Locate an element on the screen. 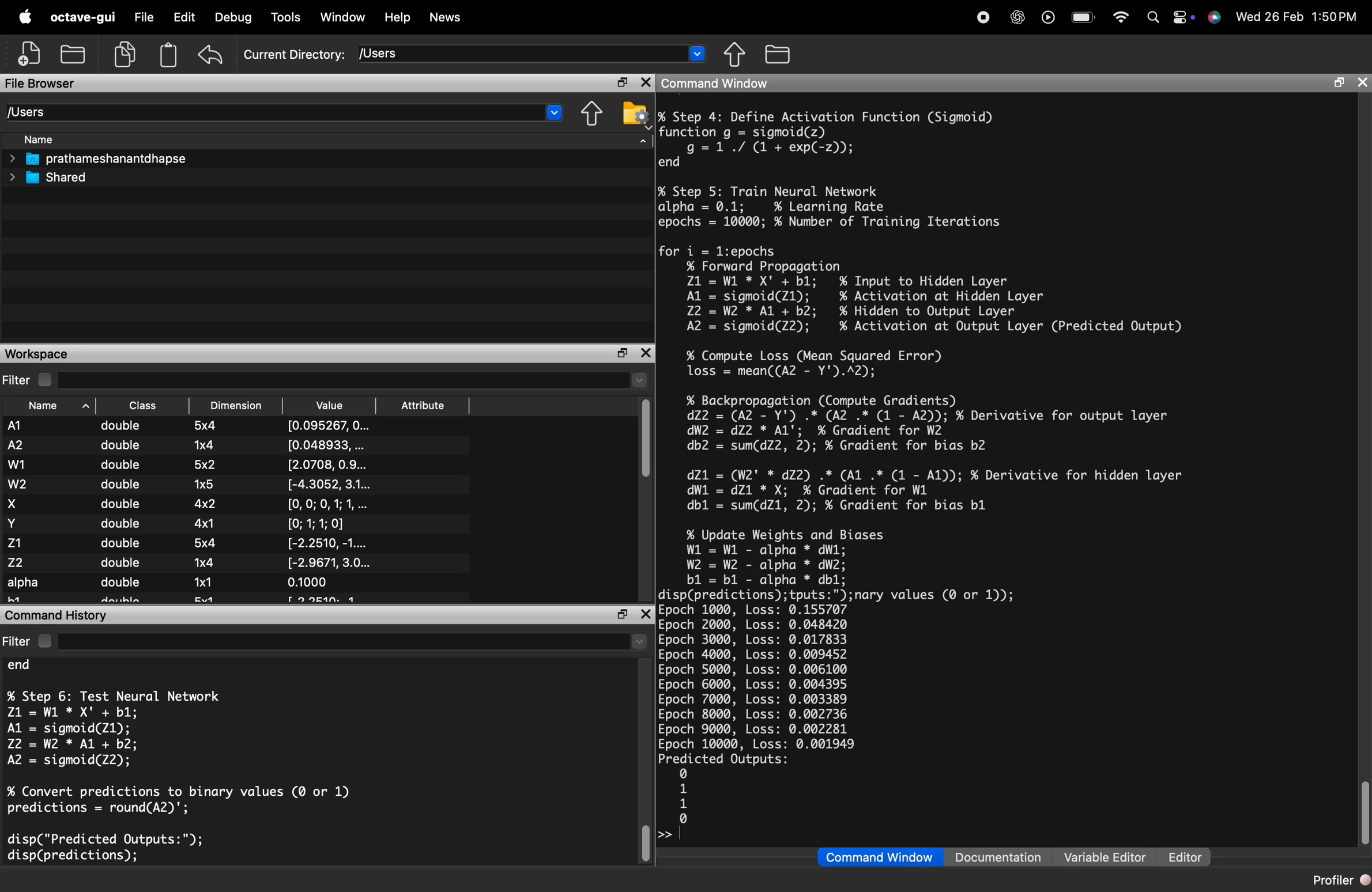  double is located at coordinates (121, 483).